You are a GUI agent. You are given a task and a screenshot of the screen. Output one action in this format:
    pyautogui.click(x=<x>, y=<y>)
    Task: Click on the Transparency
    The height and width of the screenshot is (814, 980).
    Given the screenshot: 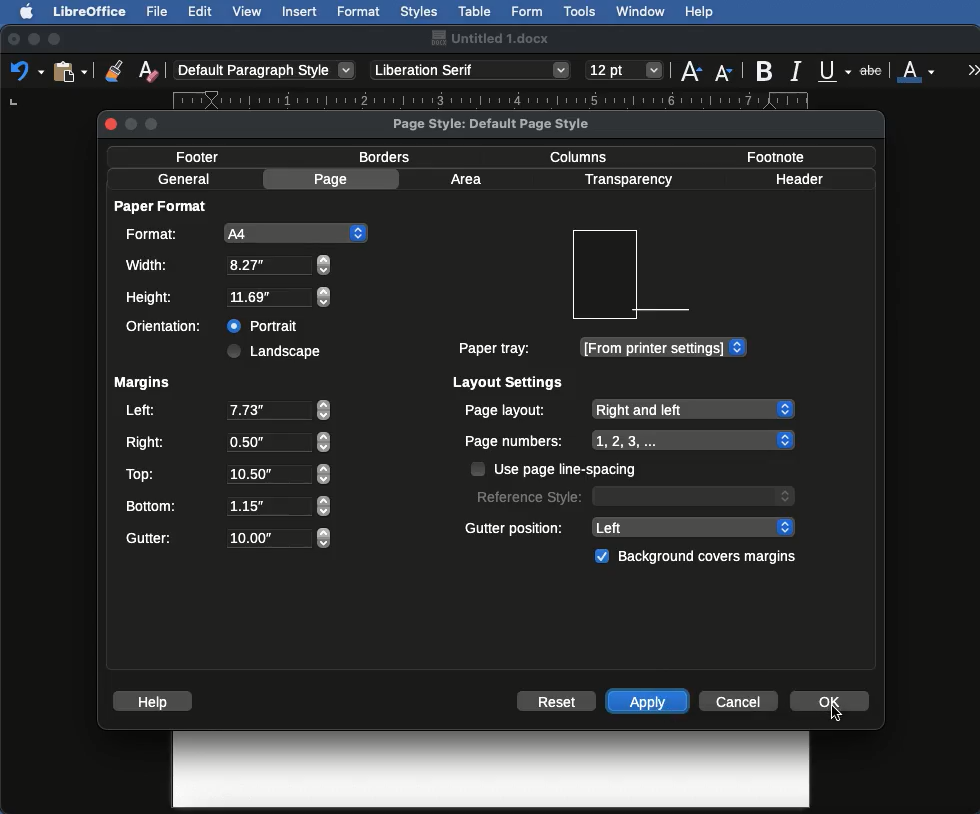 What is the action you would take?
    pyautogui.click(x=627, y=180)
    